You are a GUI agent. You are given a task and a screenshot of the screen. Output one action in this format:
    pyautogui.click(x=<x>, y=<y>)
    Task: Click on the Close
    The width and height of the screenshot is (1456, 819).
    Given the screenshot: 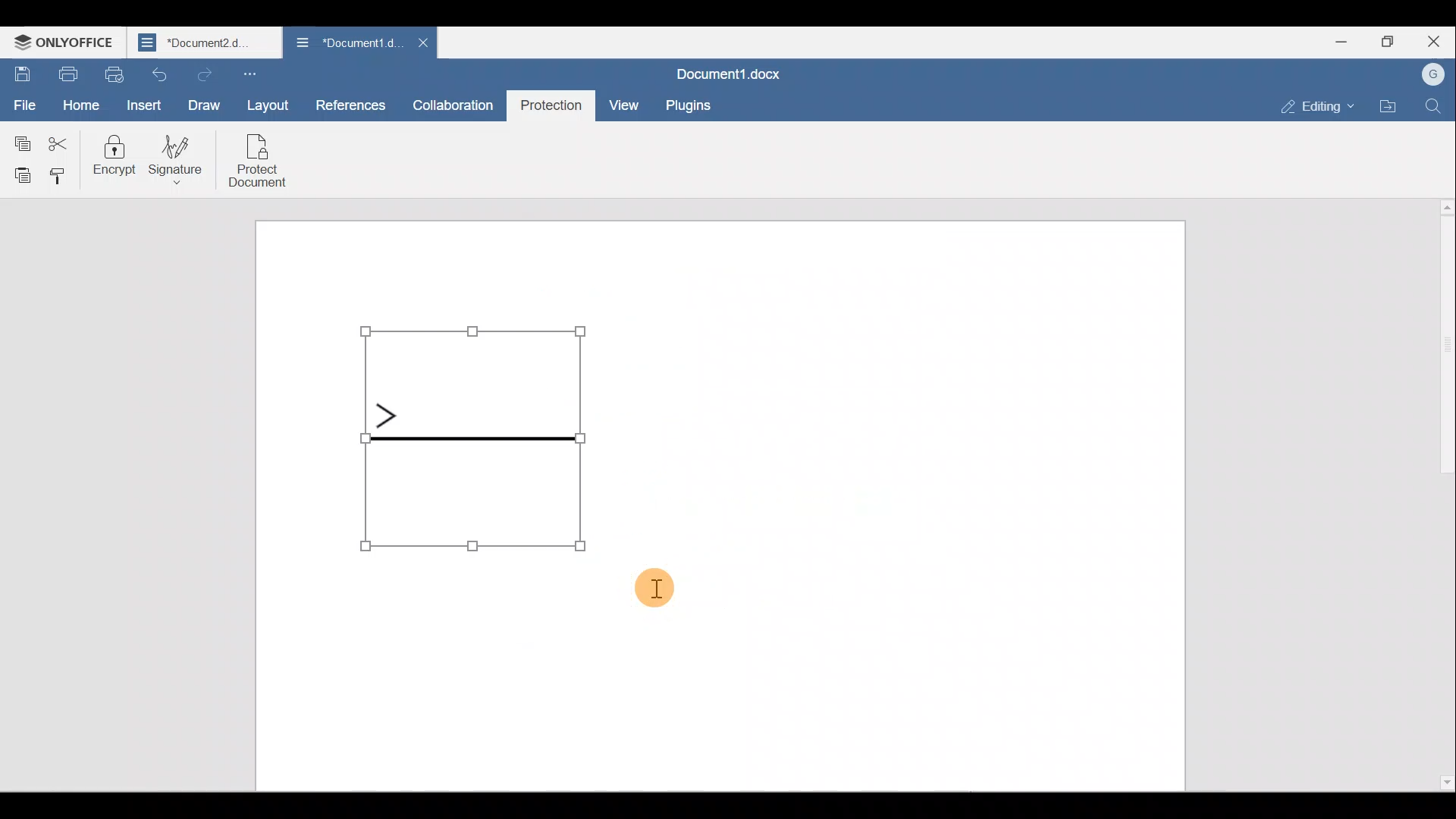 What is the action you would take?
    pyautogui.click(x=1433, y=42)
    